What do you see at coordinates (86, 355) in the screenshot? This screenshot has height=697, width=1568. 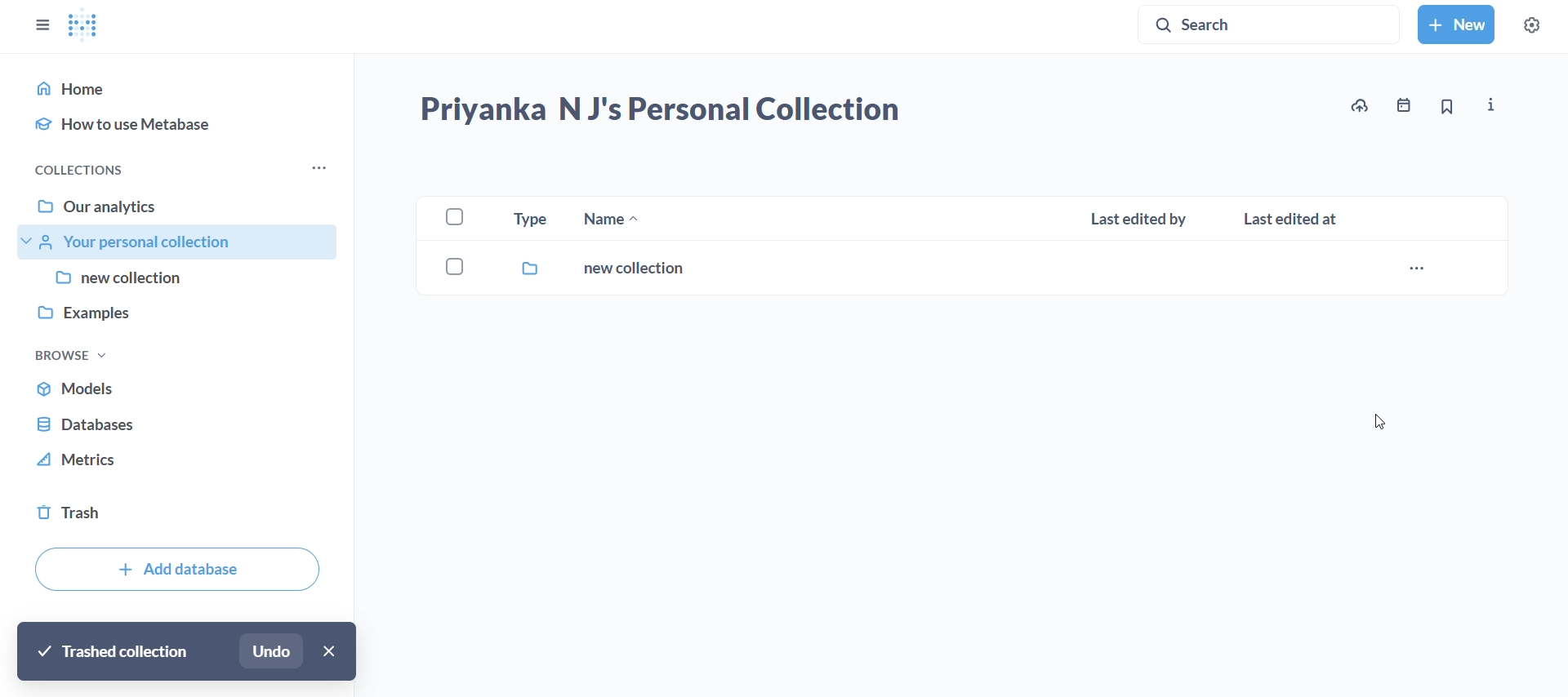 I see `browse` at bounding box center [86, 355].